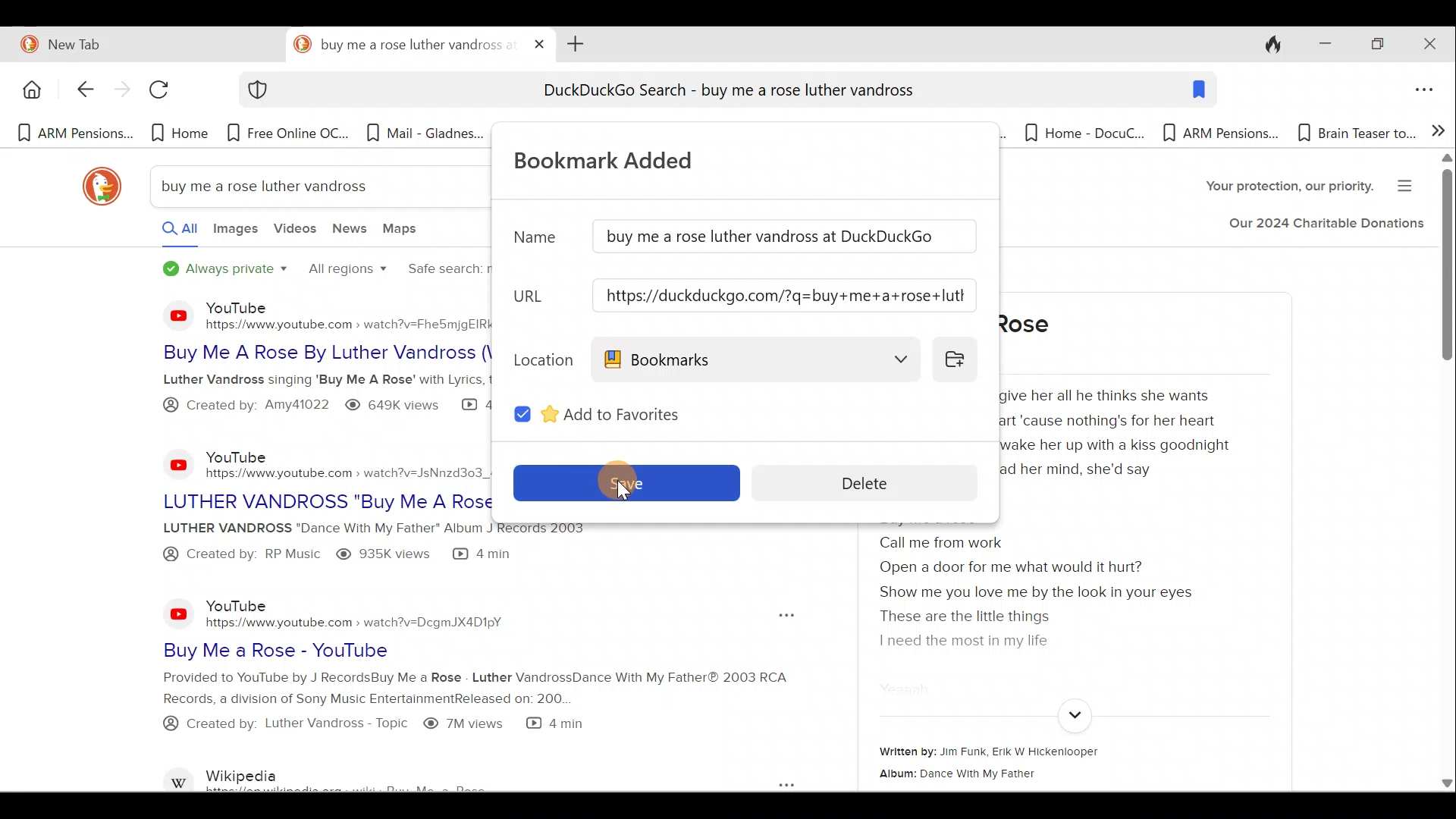 The image size is (1456, 819). I want to click on Maps, so click(404, 231).